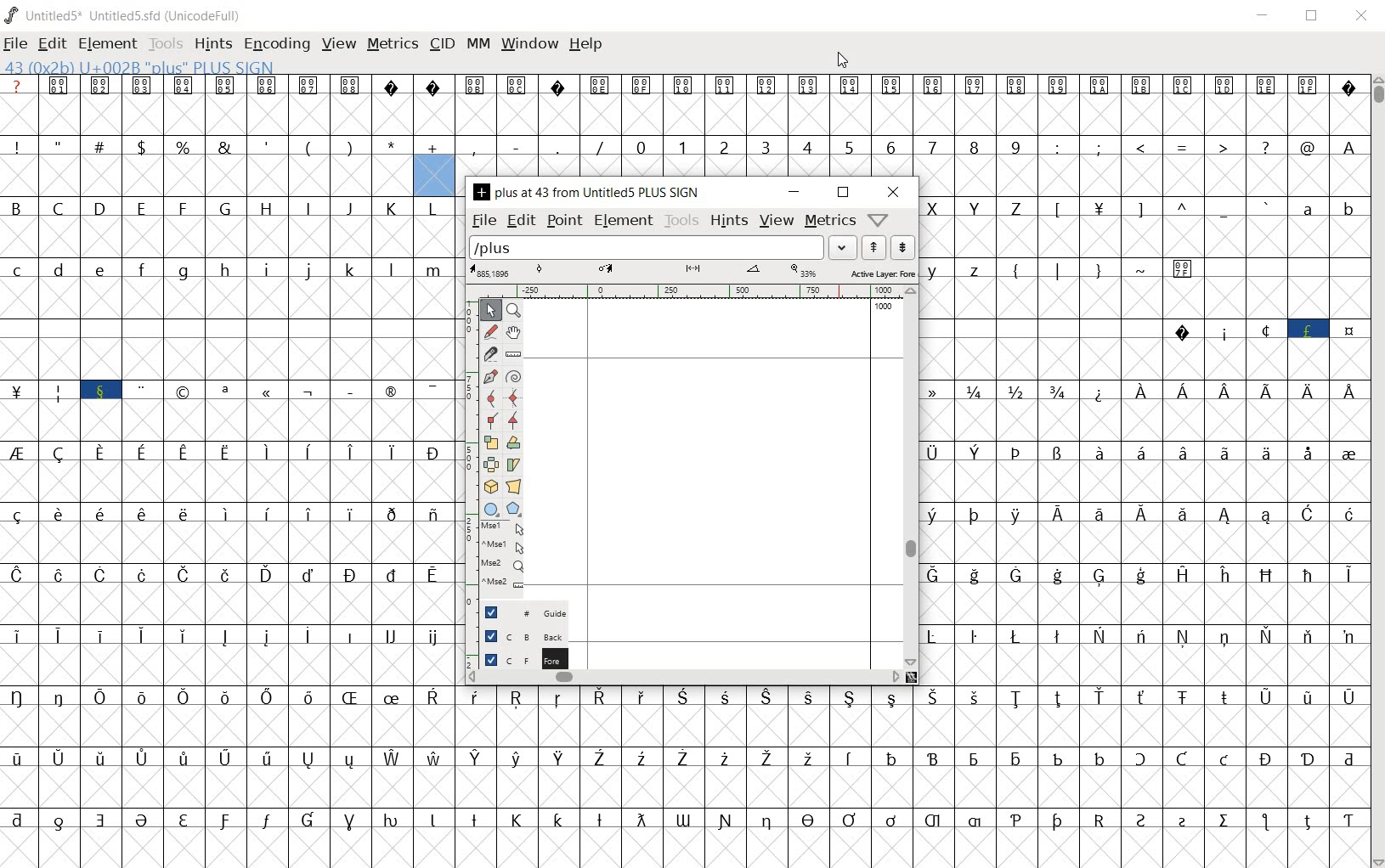 This screenshot has height=868, width=1385. Describe the element at coordinates (529, 45) in the screenshot. I see `window` at that location.